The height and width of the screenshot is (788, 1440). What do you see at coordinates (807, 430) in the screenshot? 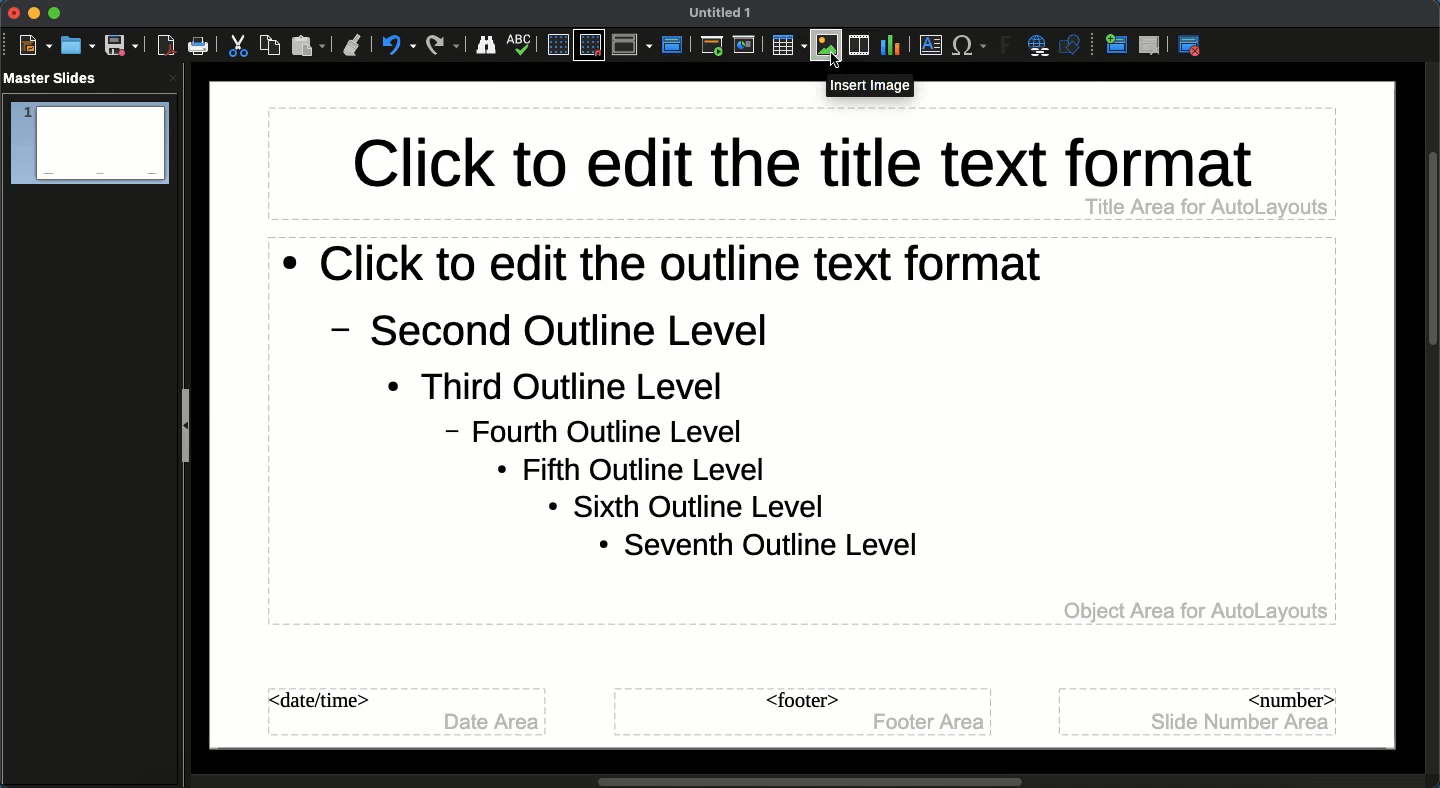
I see `Master slide body` at bounding box center [807, 430].